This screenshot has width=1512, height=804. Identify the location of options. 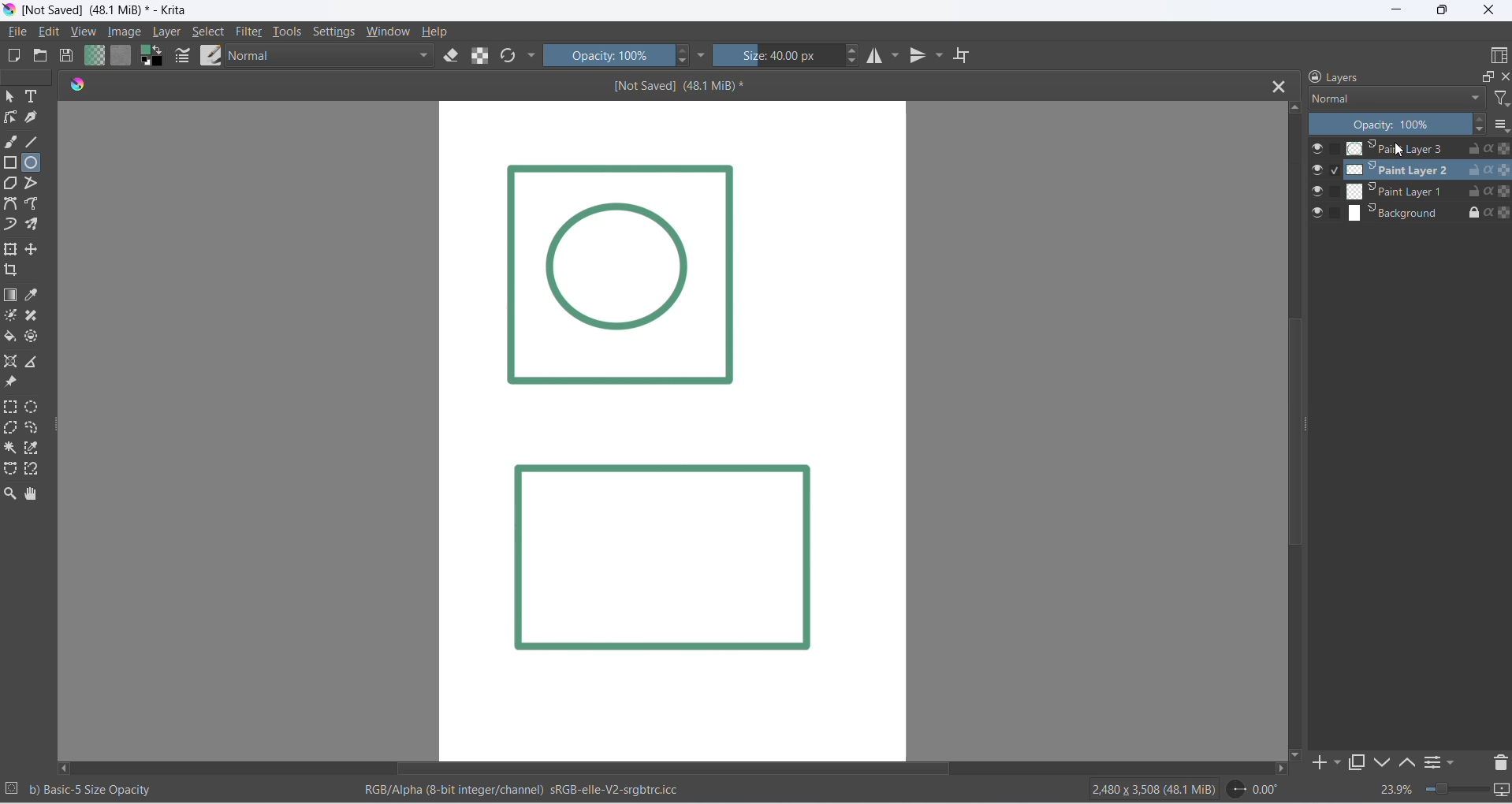
(1429, 761).